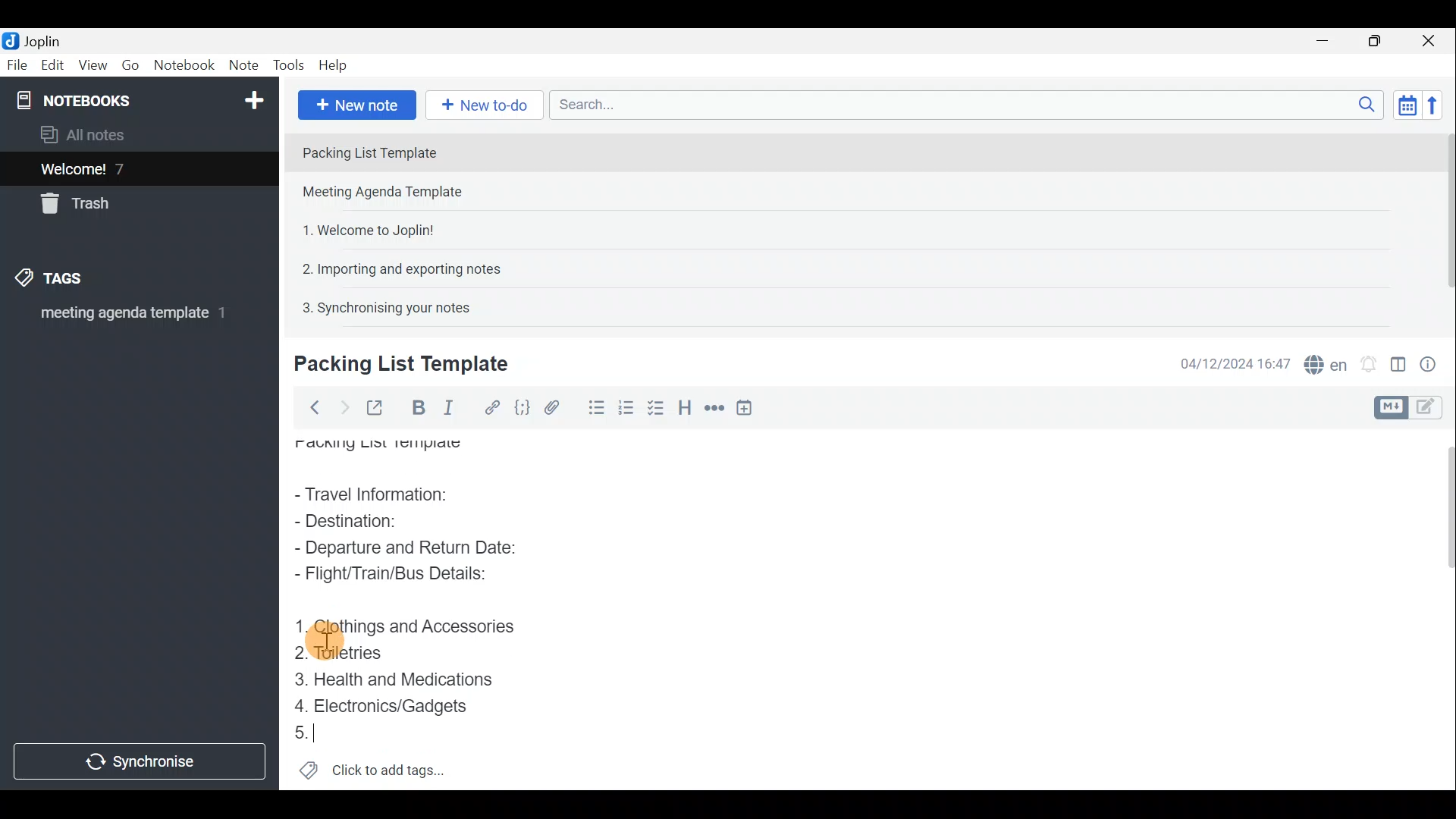 This screenshot has height=819, width=1456. Describe the element at coordinates (591, 410) in the screenshot. I see `Bulleted list` at that location.